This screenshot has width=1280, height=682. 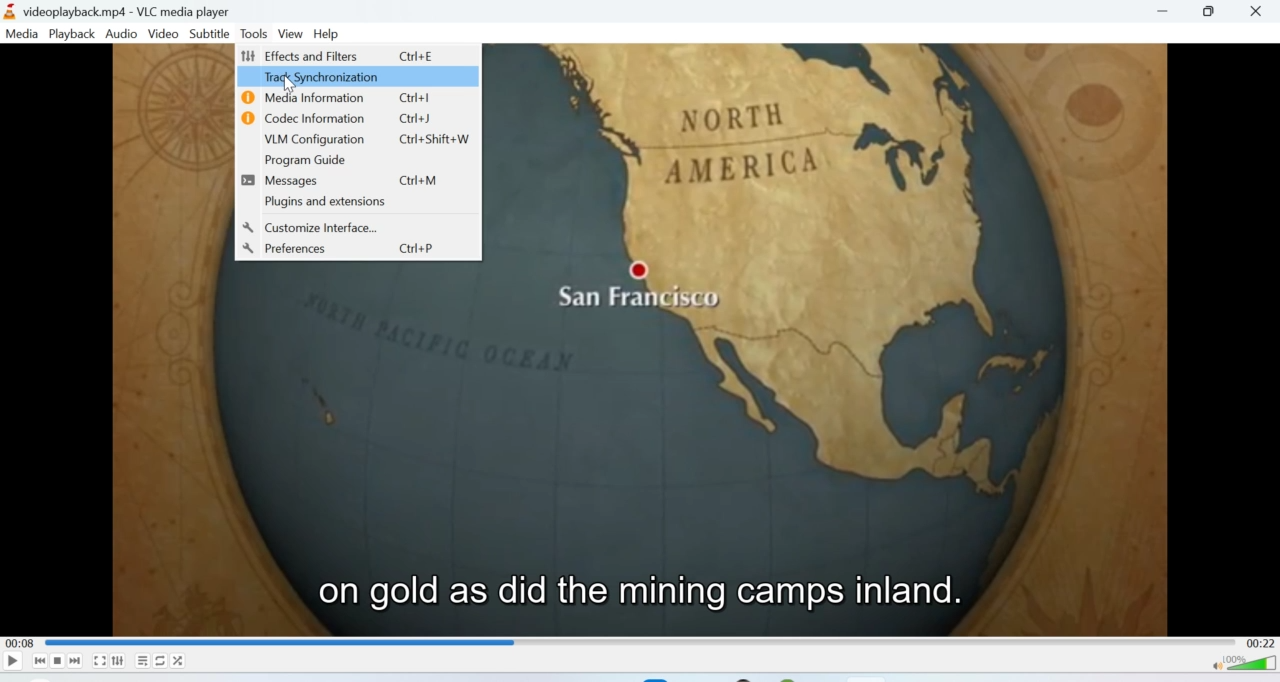 What do you see at coordinates (254, 33) in the screenshot?
I see `Tools` at bounding box center [254, 33].